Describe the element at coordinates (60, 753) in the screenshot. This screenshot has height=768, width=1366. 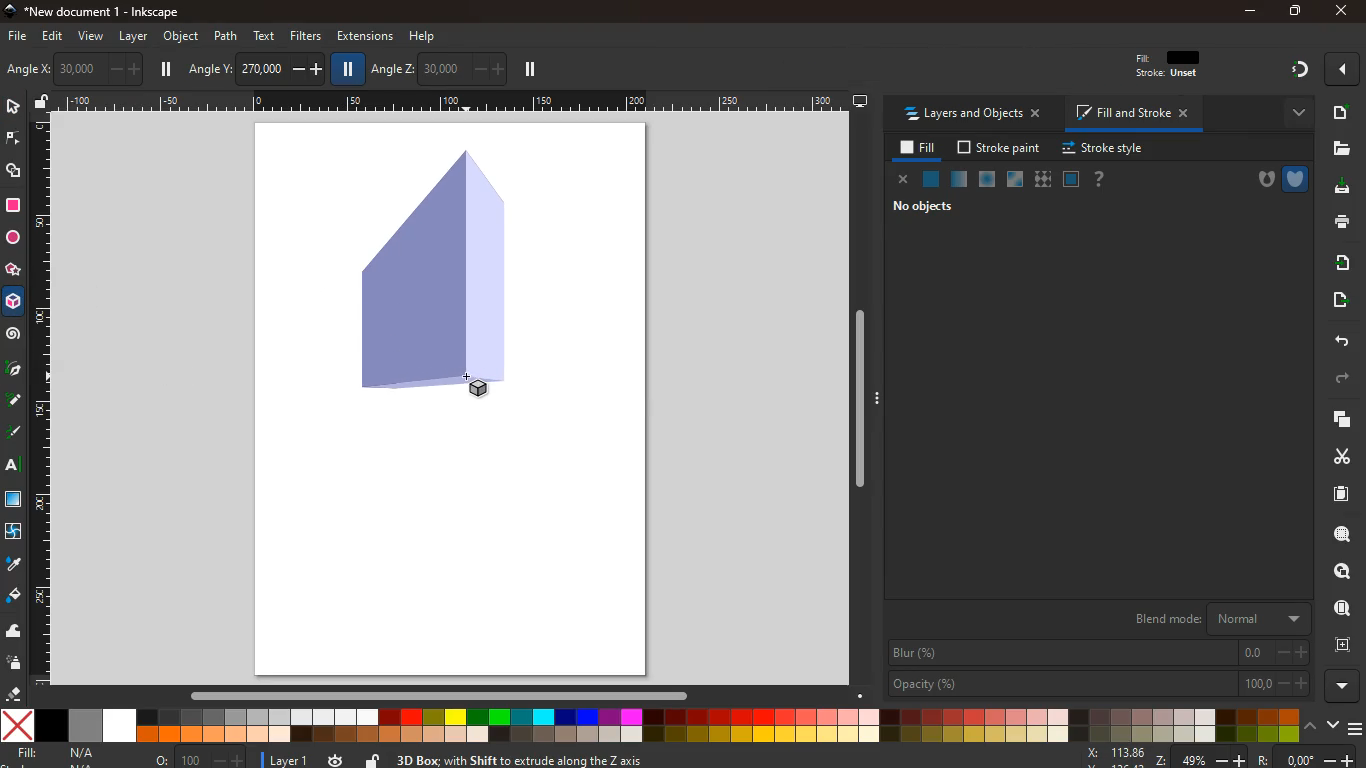
I see `fill` at that location.